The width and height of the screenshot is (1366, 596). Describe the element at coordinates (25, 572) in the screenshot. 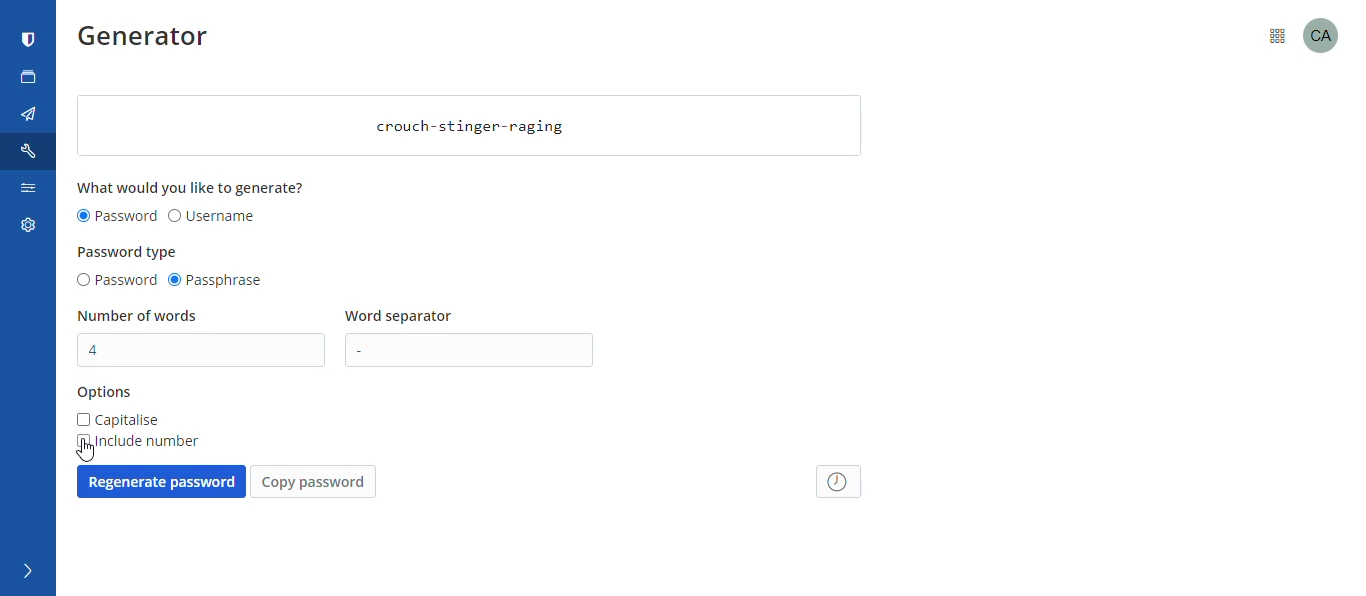

I see `expand` at that location.